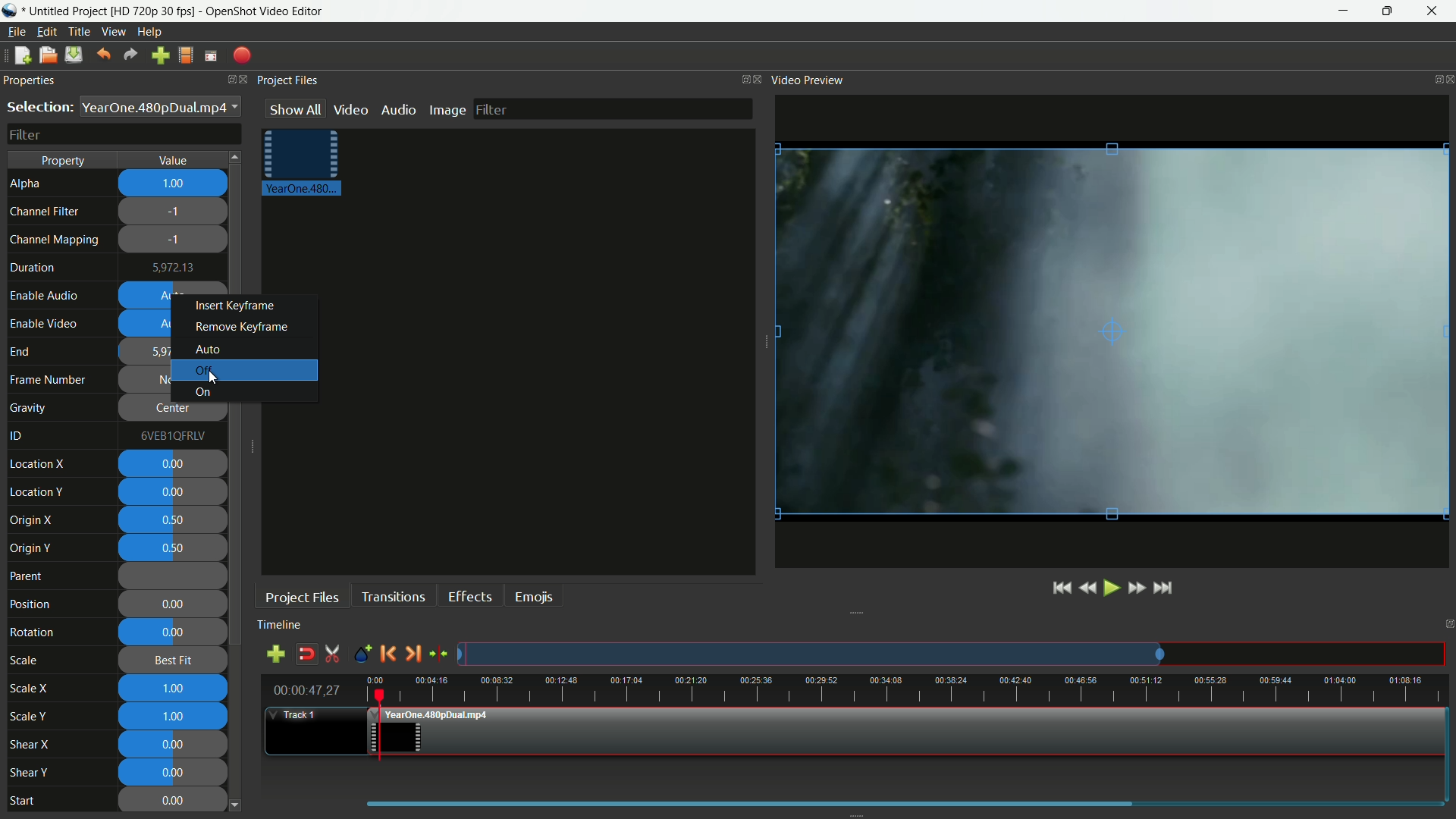  I want to click on 0.00, so click(174, 800).